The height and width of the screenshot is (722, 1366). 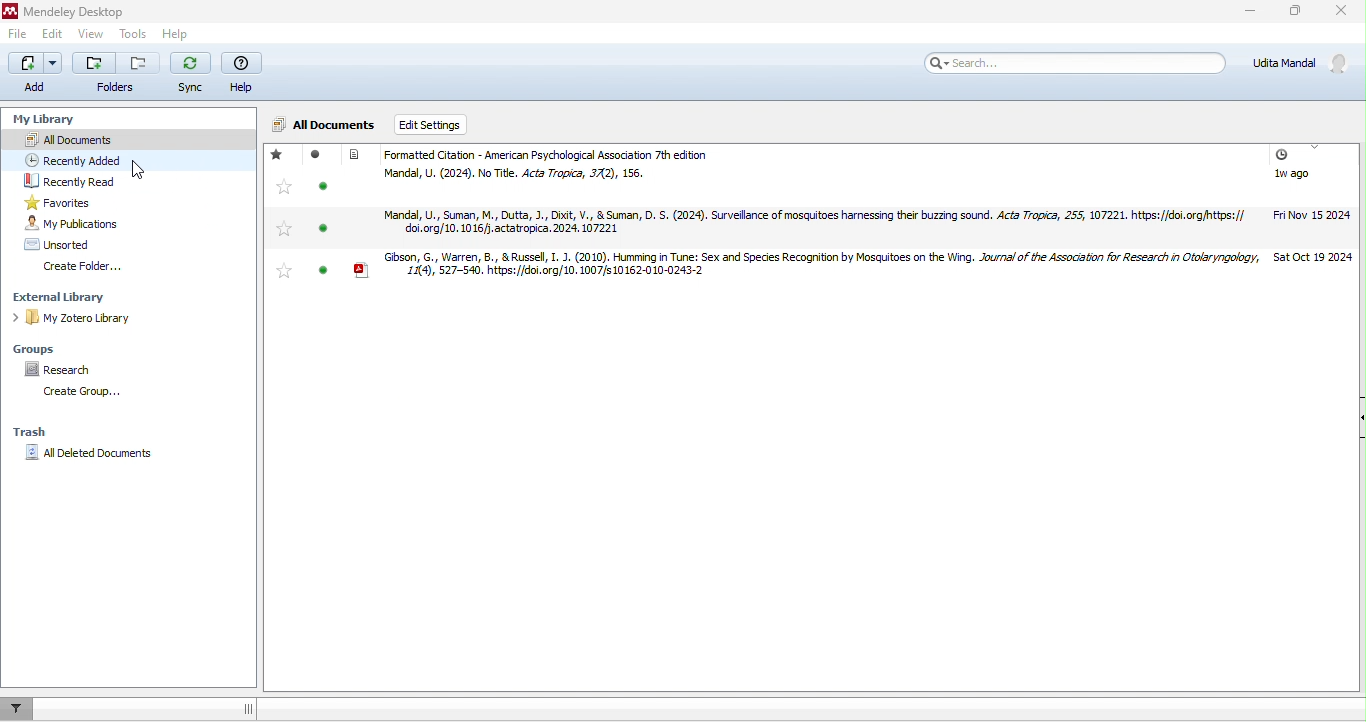 I want to click on maximize, so click(x=1292, y=13).